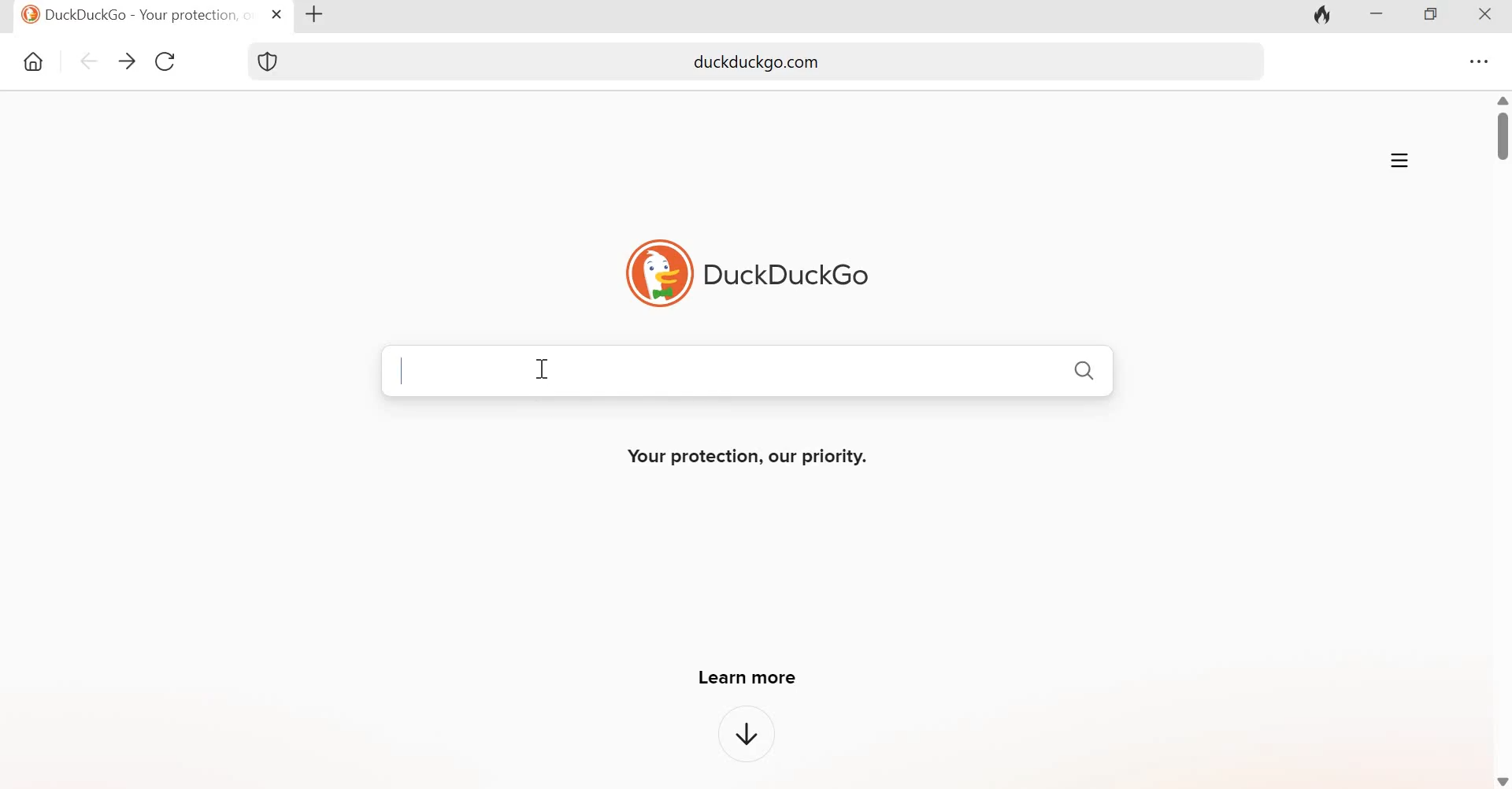 The height and width of the screenshot is (789, 1512). Describe the element at coordinates (125, 61) in the screenshot. I see `go forward one page` at that location.